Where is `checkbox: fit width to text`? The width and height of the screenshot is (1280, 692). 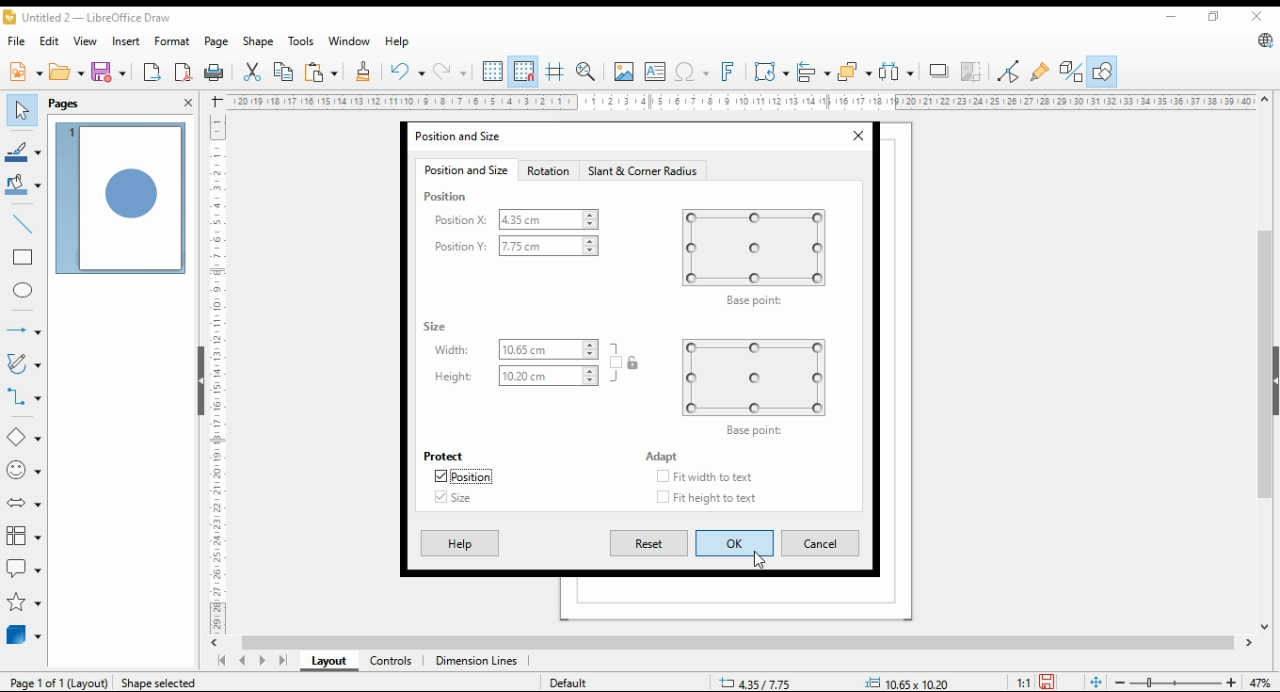 checkbox: fit width to text is located at coordinates (711, 479).